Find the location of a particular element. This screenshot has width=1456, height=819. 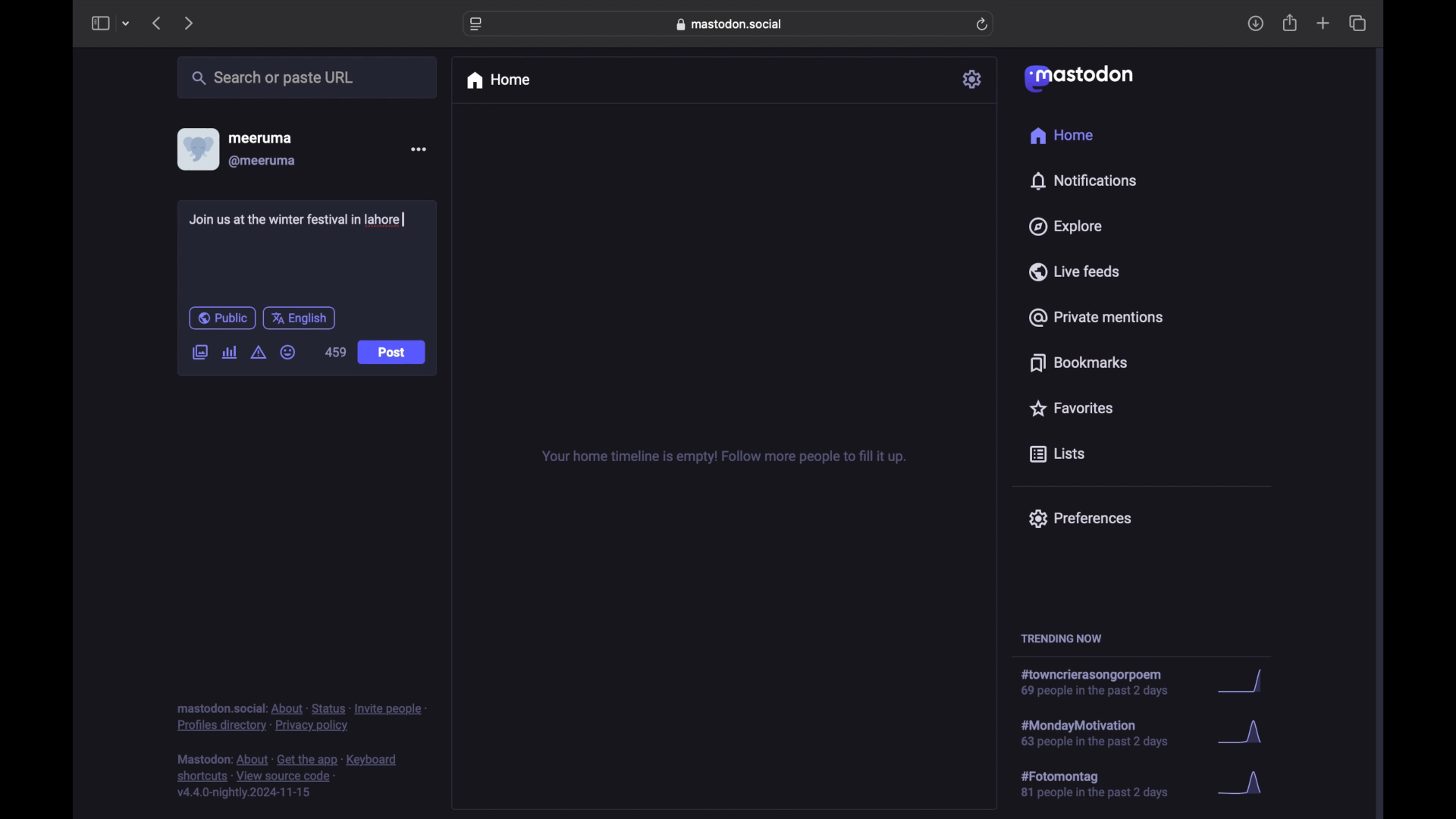

add  poll is located at coordinates (229, 352).